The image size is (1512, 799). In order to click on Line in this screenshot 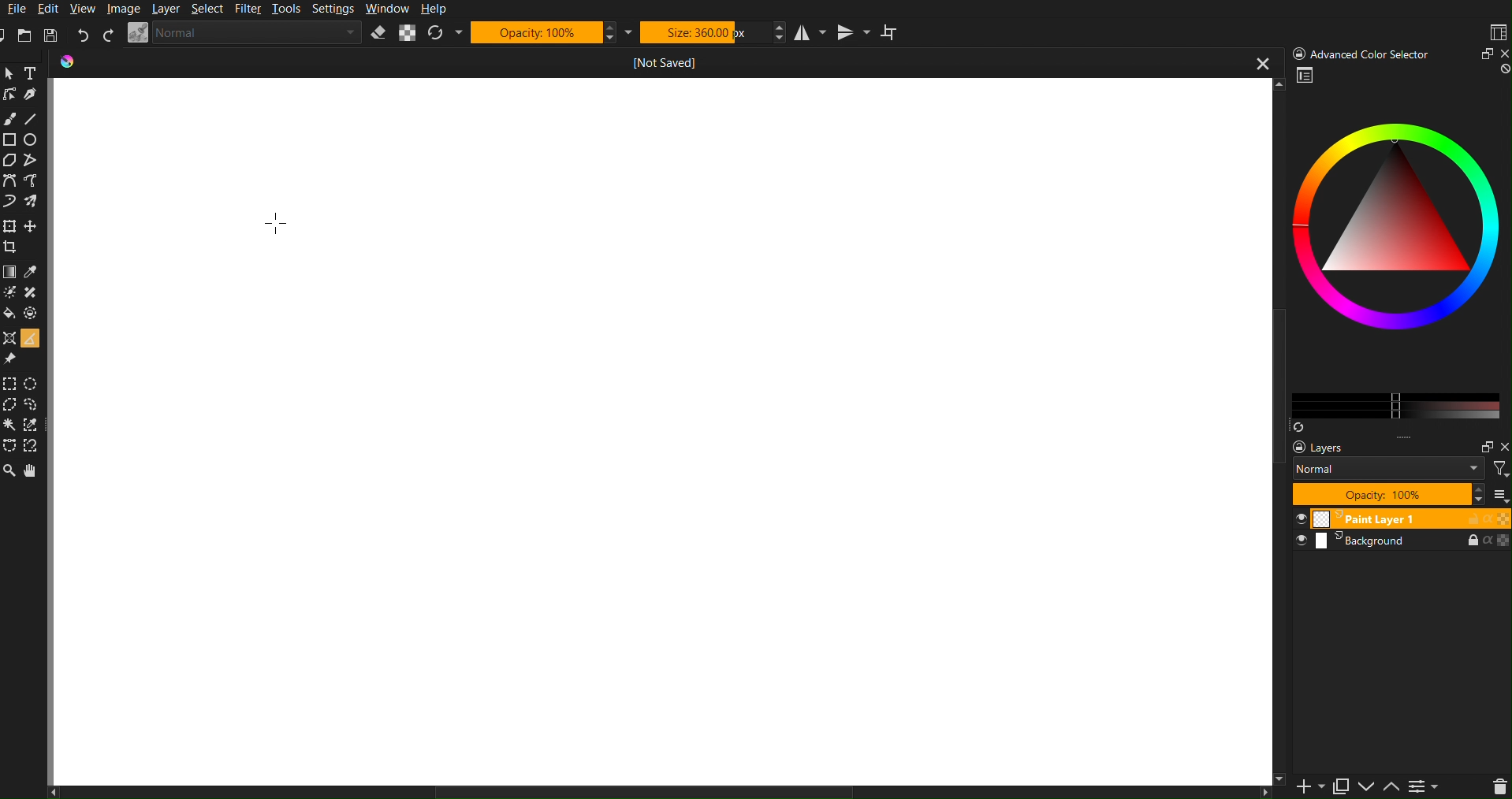, I will do `click(32, 116)`.